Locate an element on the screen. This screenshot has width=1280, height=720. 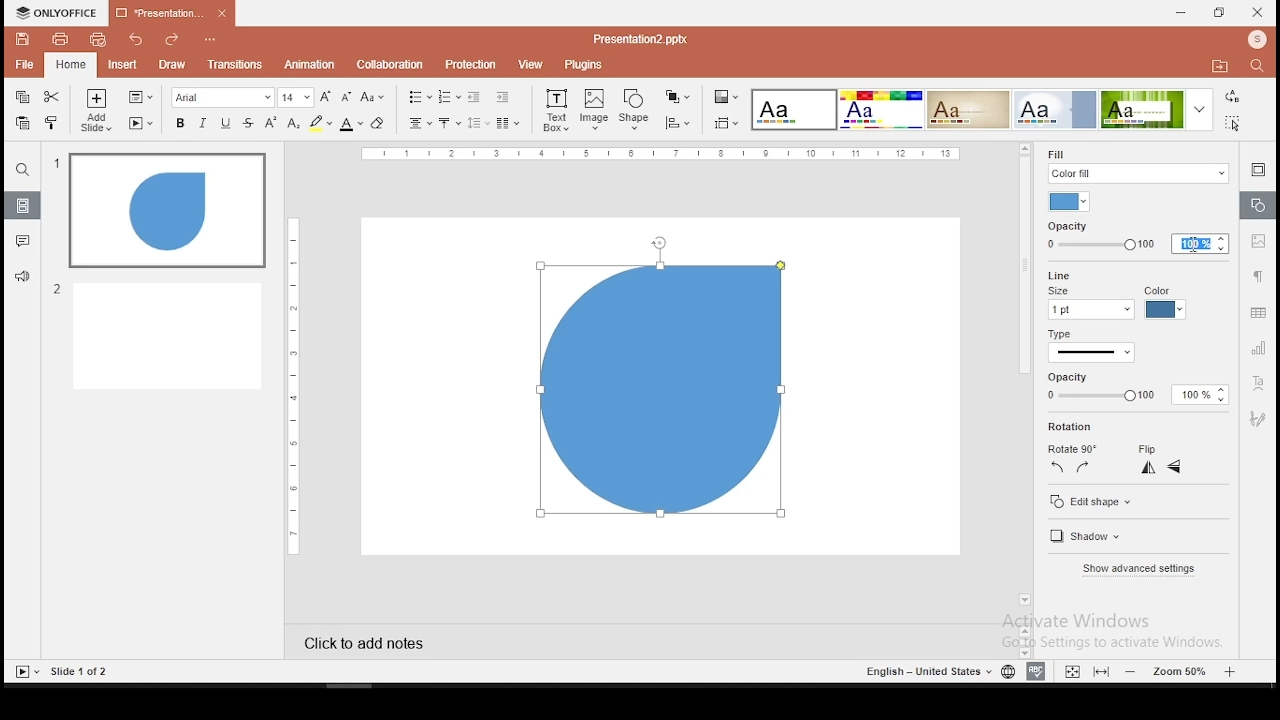
italics is located at coordinates (201, 124).